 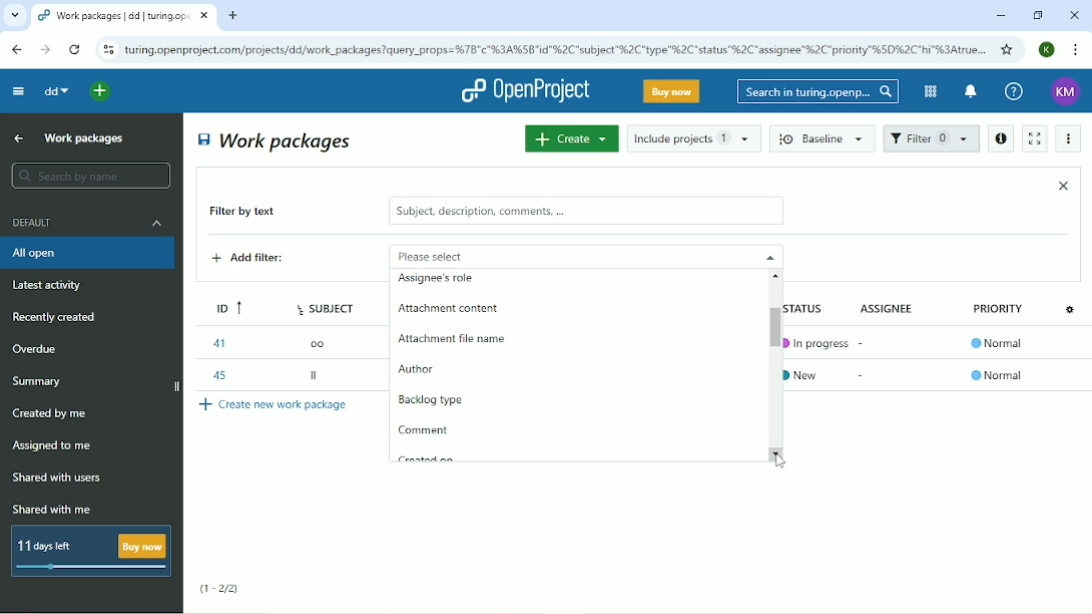 I want to click on ll, so click(x=316, y=378).